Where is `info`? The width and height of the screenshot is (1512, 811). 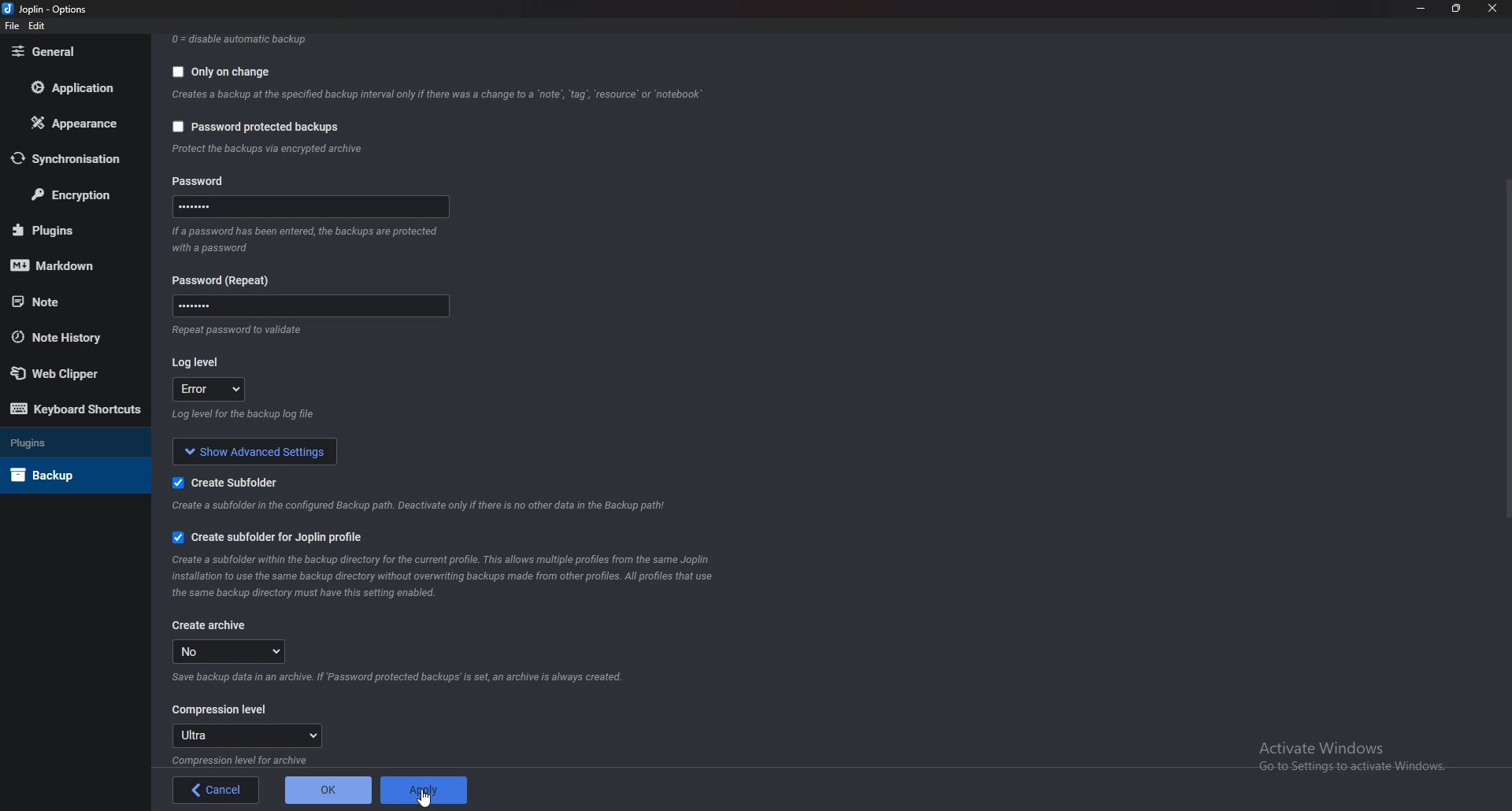 info is located at coordinates (250, 759).